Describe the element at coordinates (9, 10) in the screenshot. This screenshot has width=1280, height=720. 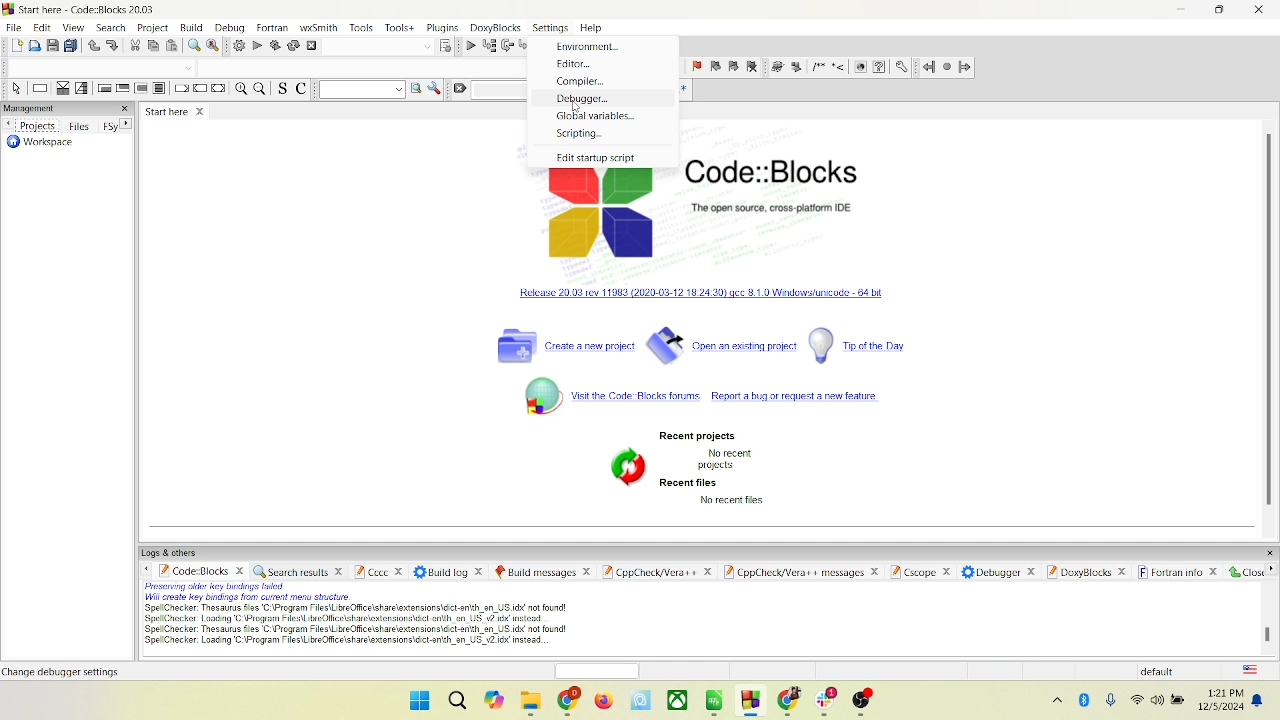
I see `logo` at that location.